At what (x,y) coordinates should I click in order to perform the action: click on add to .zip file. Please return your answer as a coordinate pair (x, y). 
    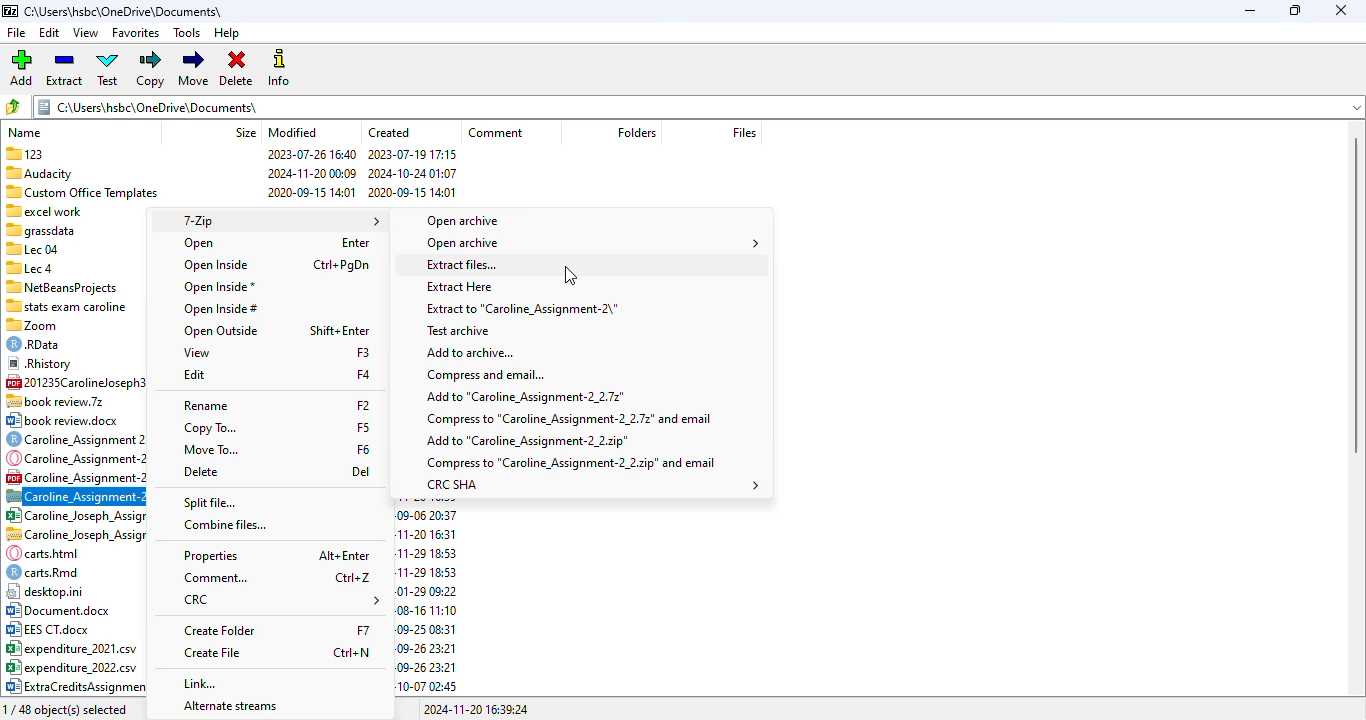
    Looking at the image, I should click on (526, 440).